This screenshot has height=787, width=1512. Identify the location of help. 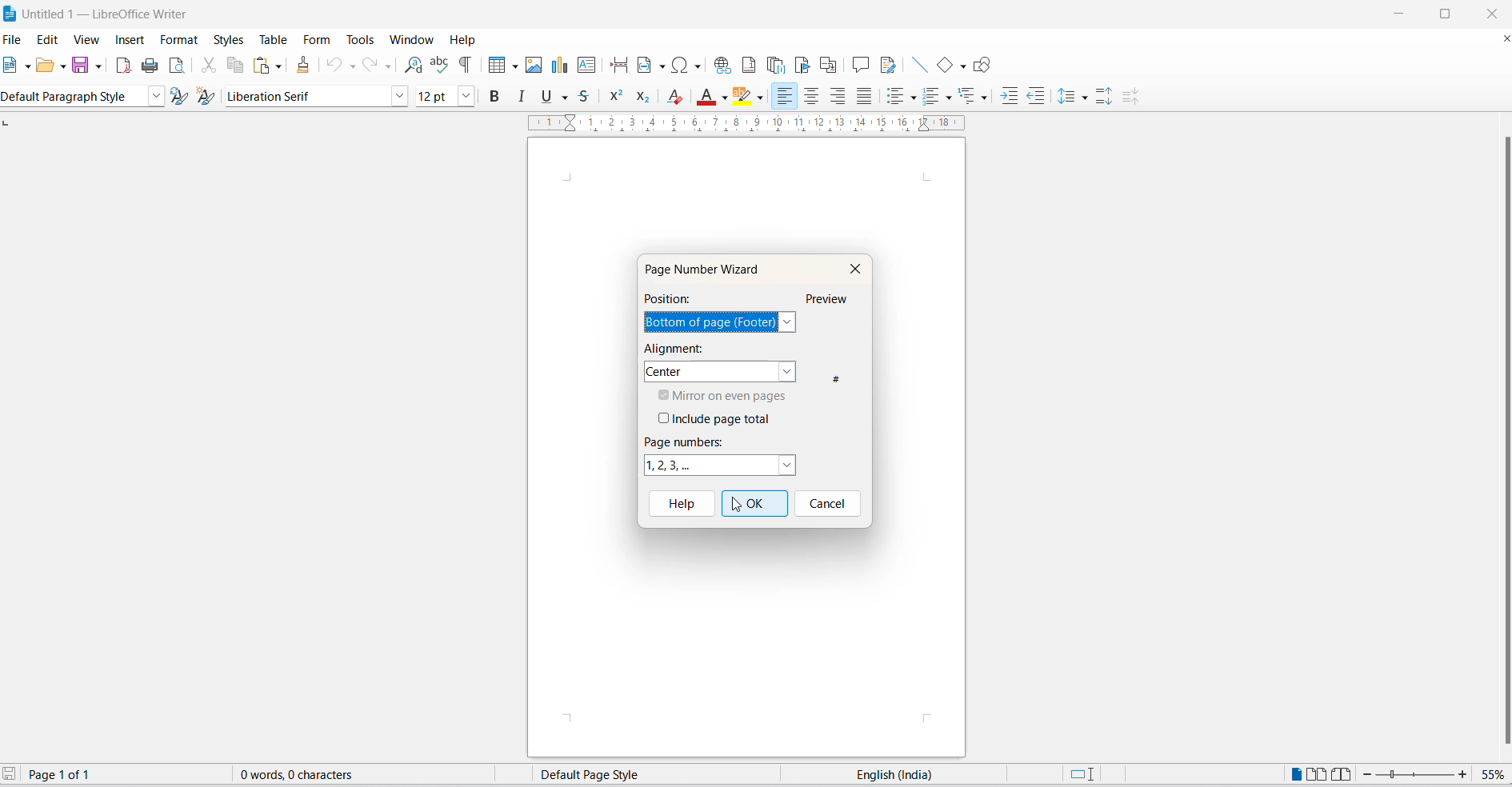
(470, 41).